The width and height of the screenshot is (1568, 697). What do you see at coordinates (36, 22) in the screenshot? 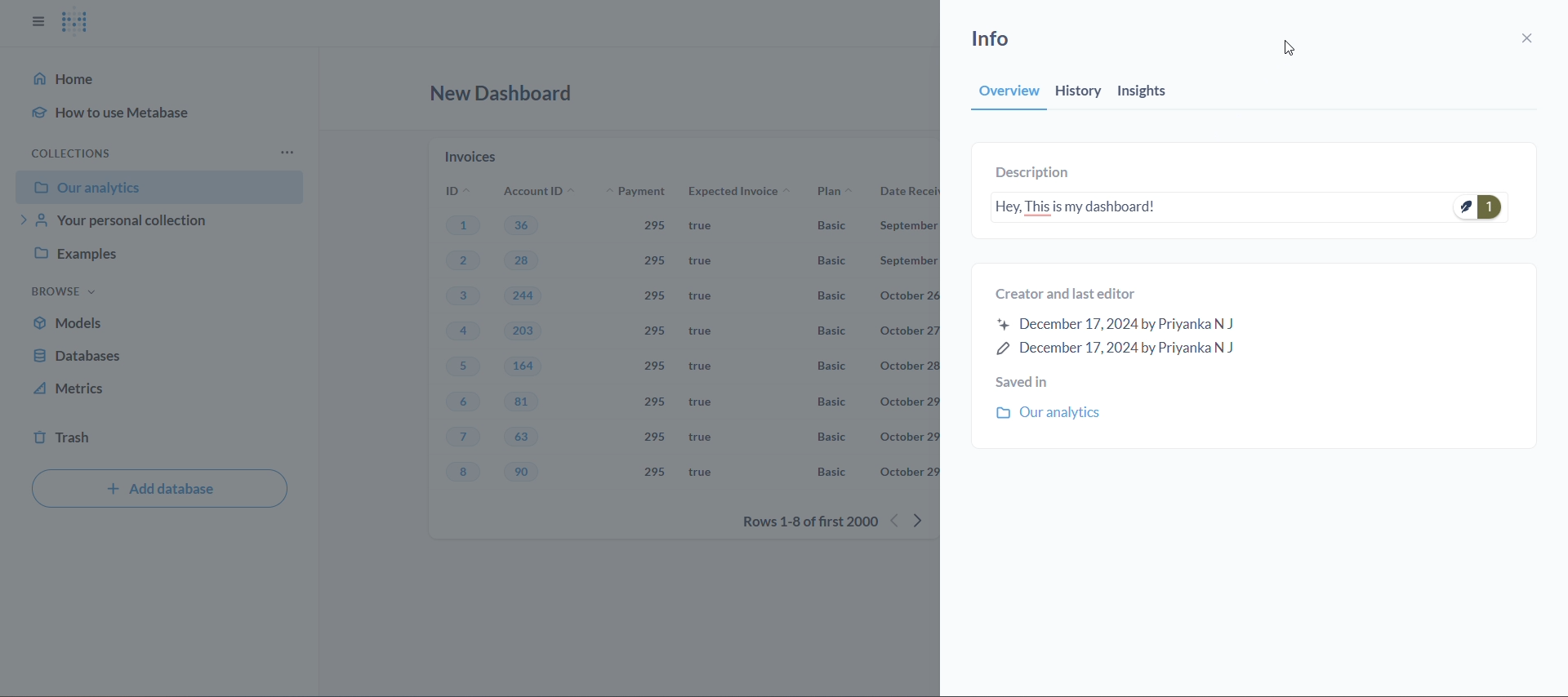
I see `close sidbar` at bounding box center [36, 22].